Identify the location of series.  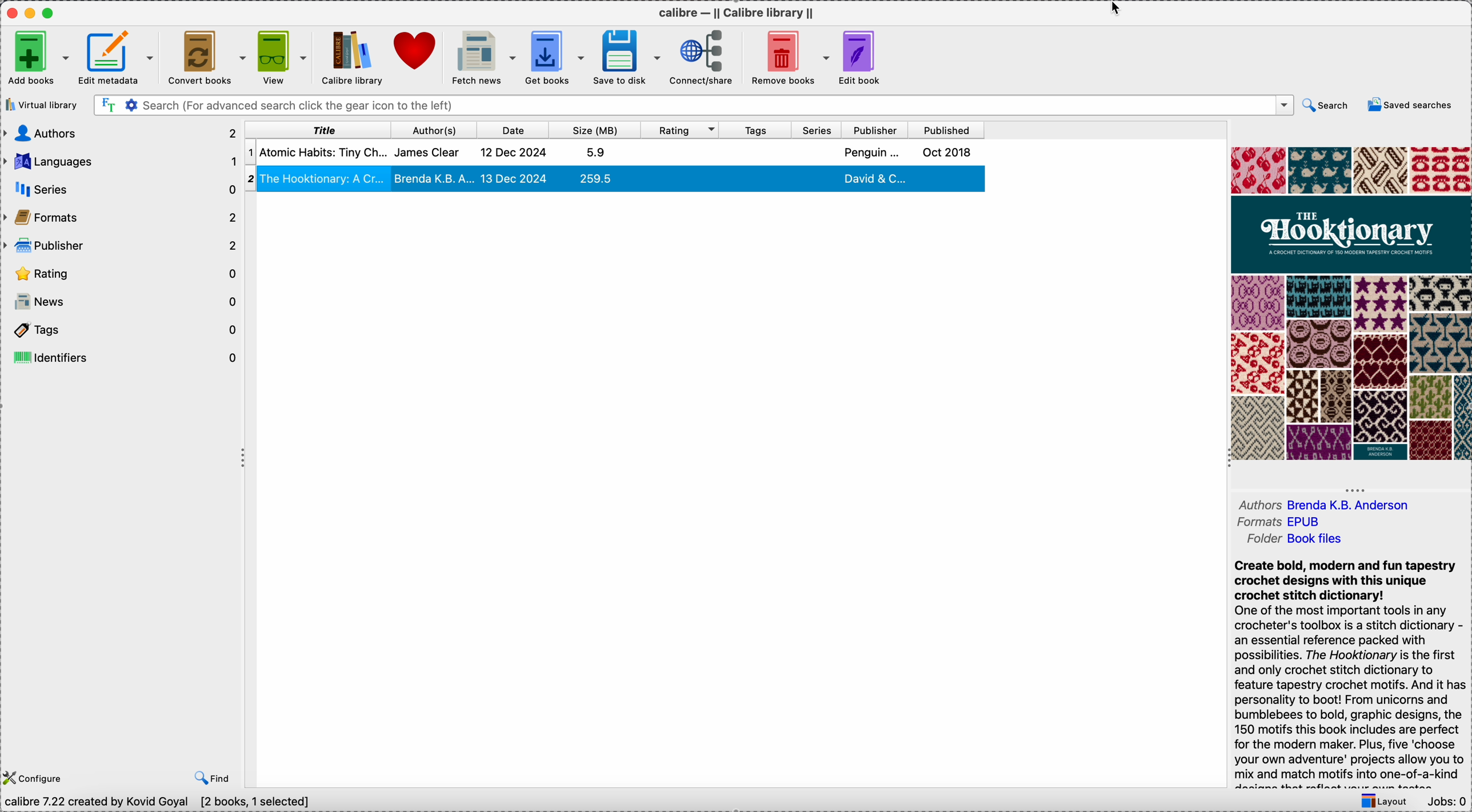
(119, 189).